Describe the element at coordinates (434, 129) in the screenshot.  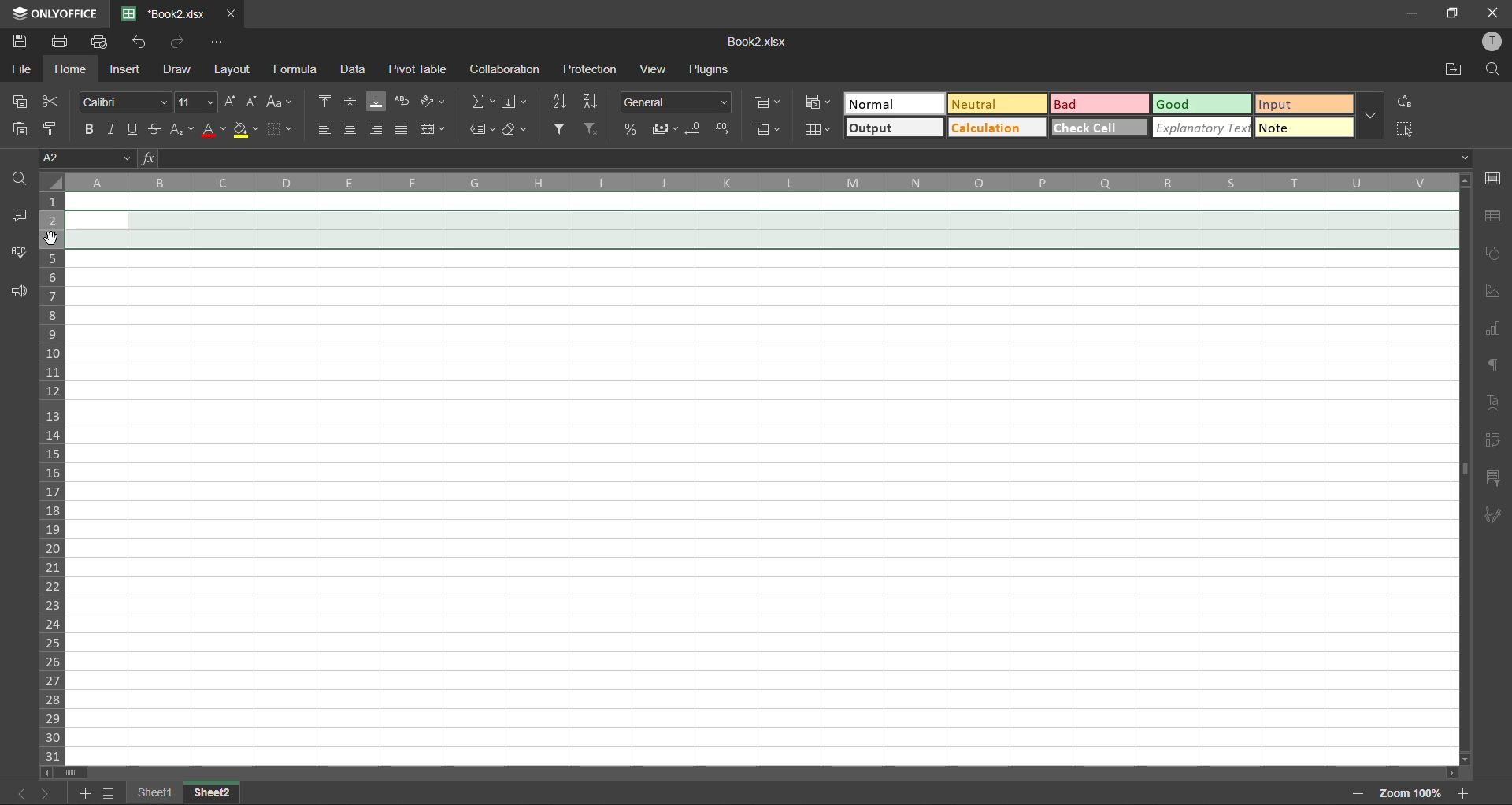
I see `merge and center` at that location.